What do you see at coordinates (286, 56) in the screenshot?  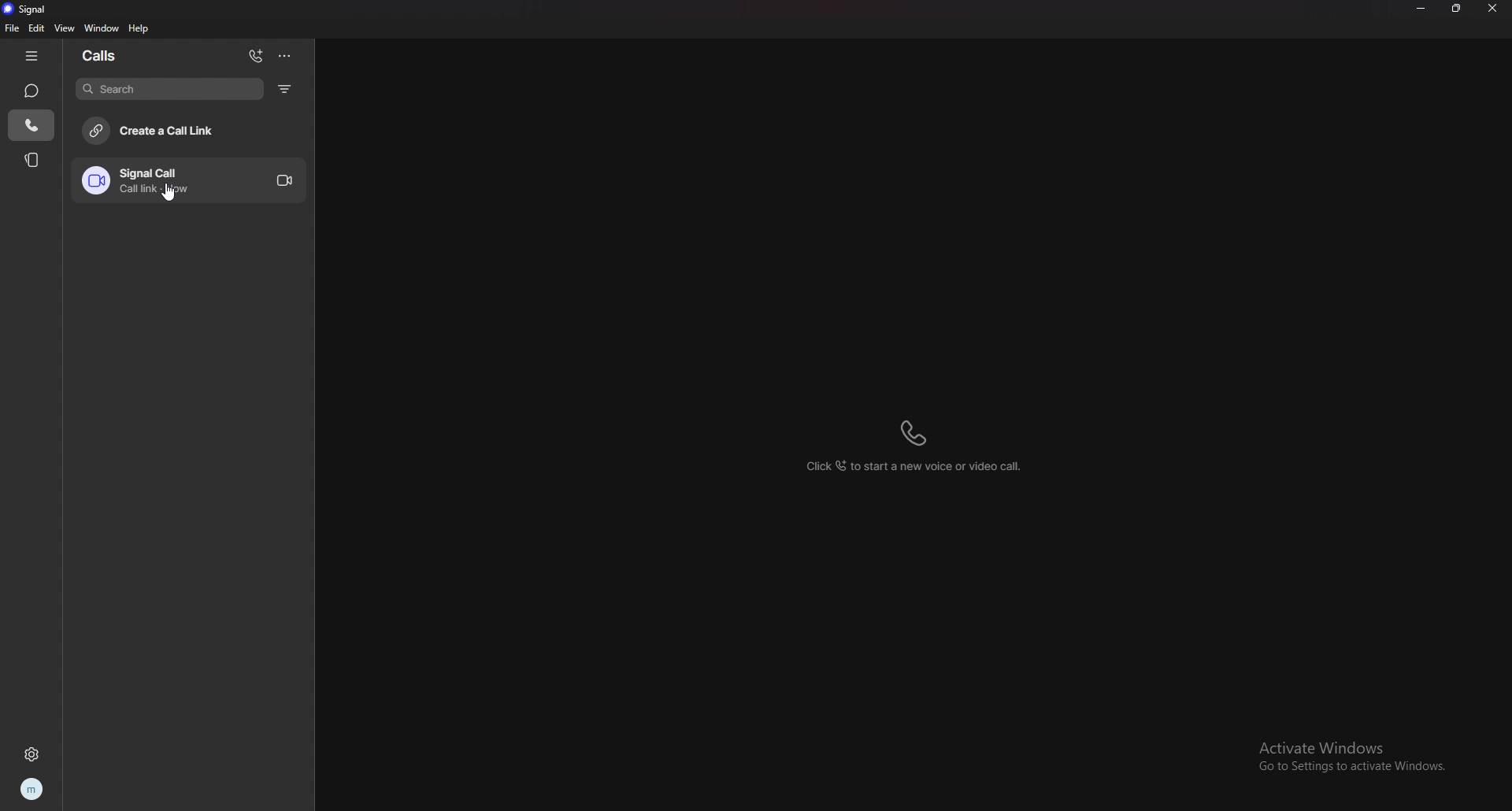 I see `options` at bounding box center [286, 56].